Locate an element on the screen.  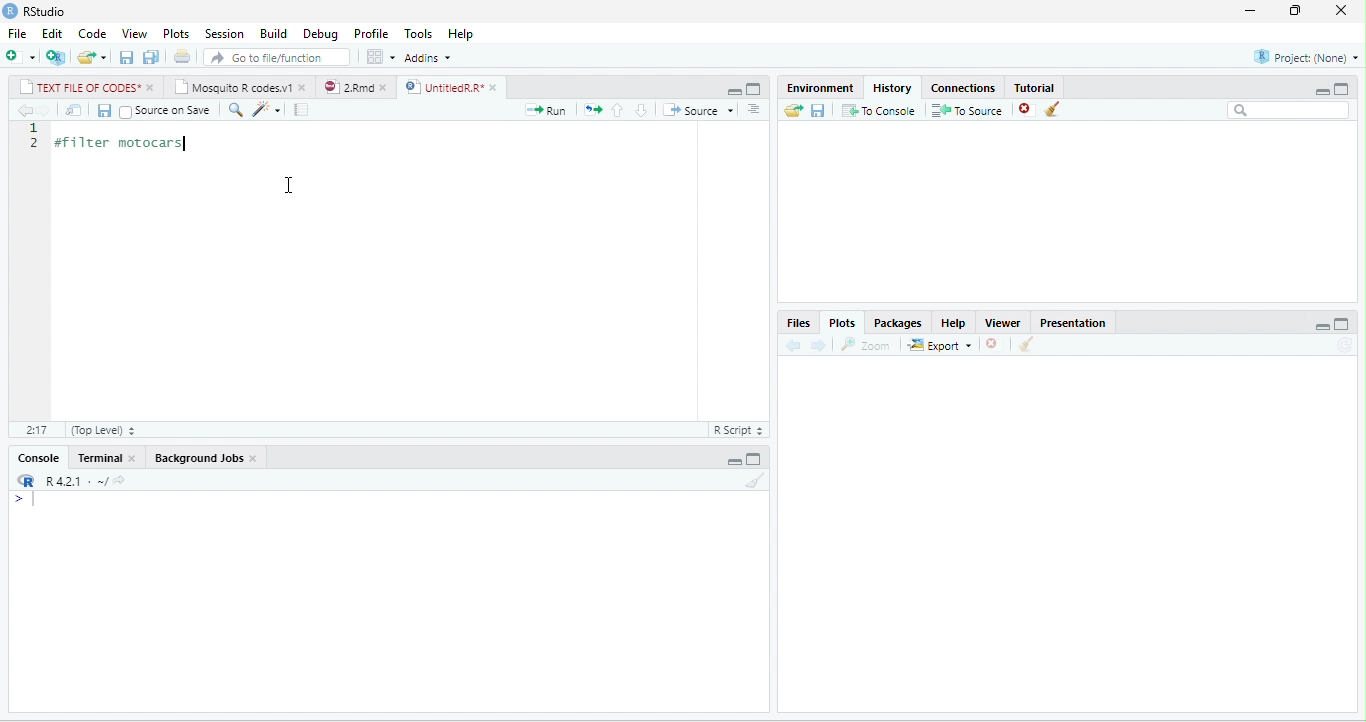
code tools is located at coordinates (267, 110).